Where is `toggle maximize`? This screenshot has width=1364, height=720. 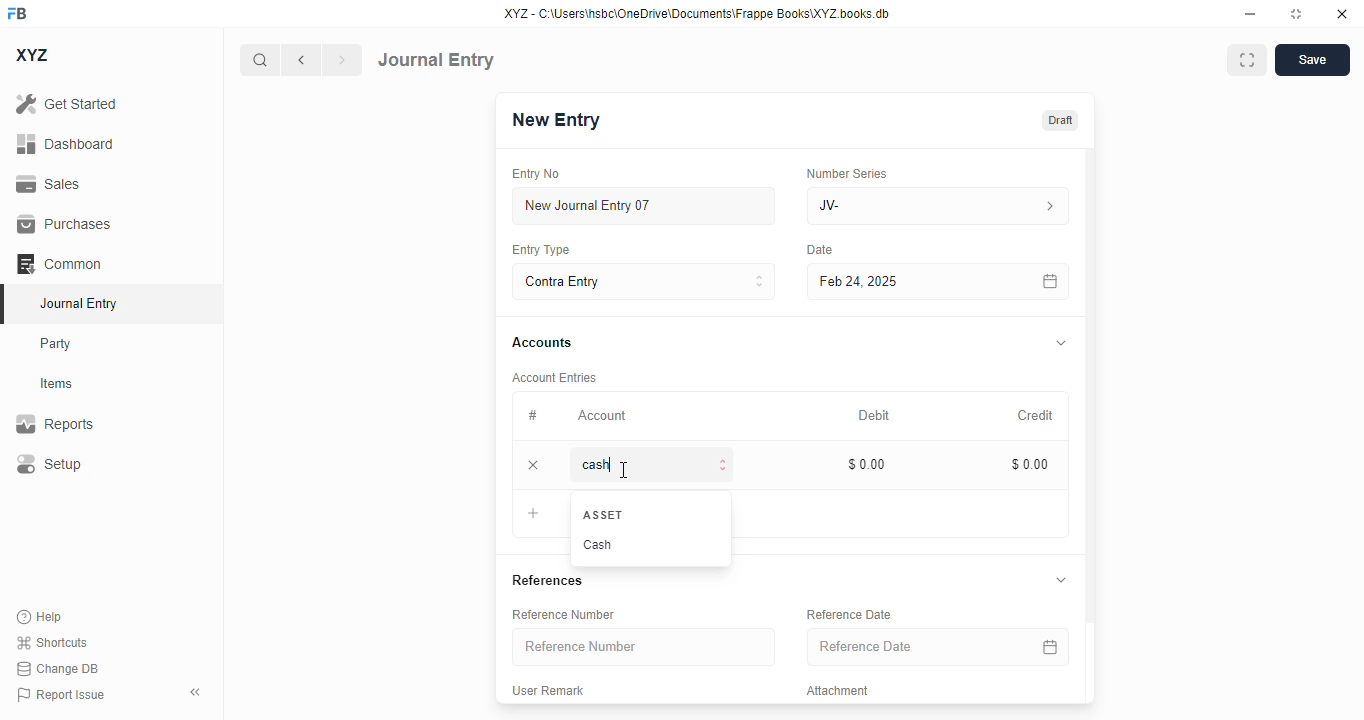 toggle maximize is located at coordinates (1296, 14).